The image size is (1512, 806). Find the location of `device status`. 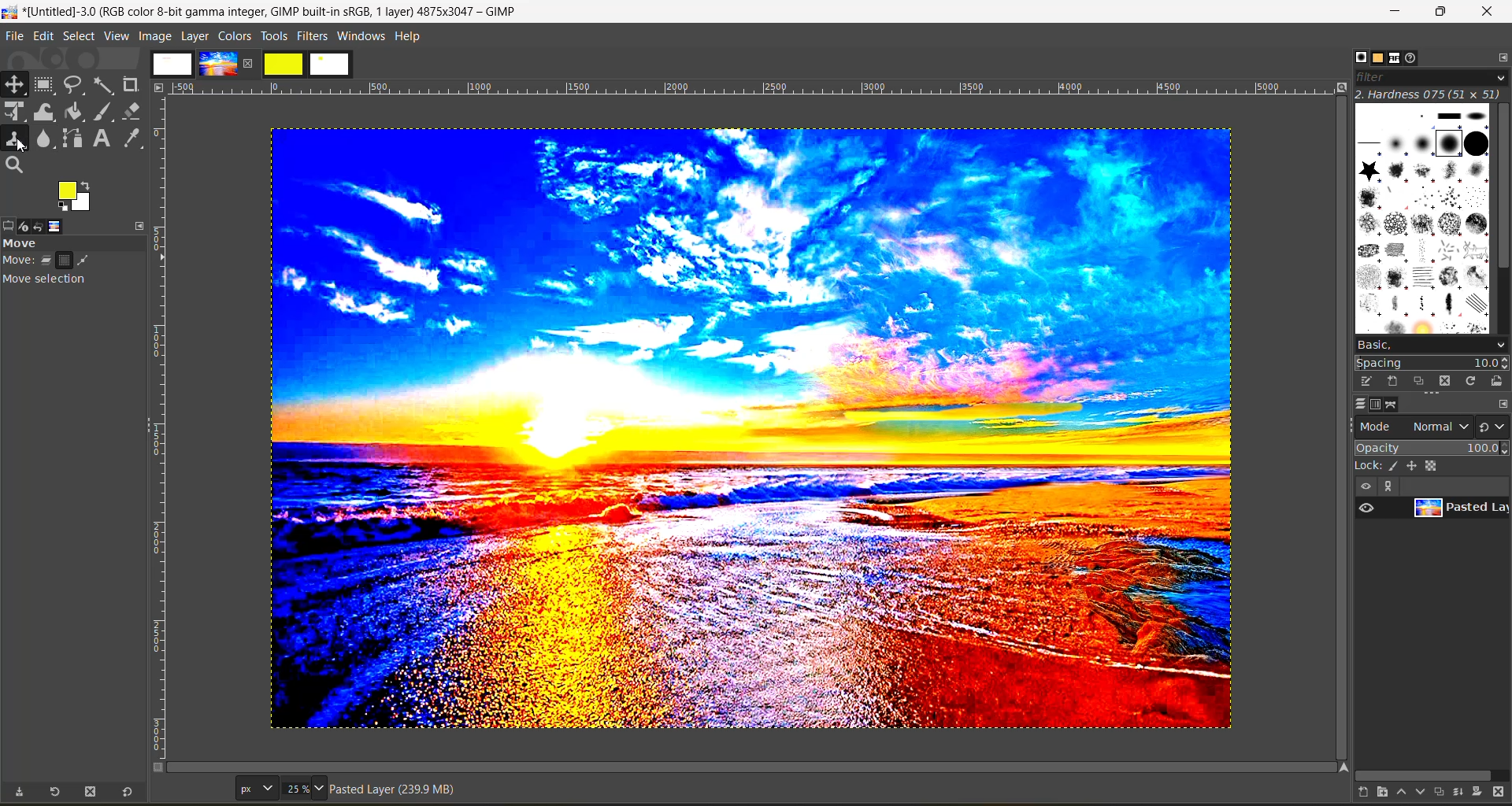

device status is located at coordinates (28, 225).